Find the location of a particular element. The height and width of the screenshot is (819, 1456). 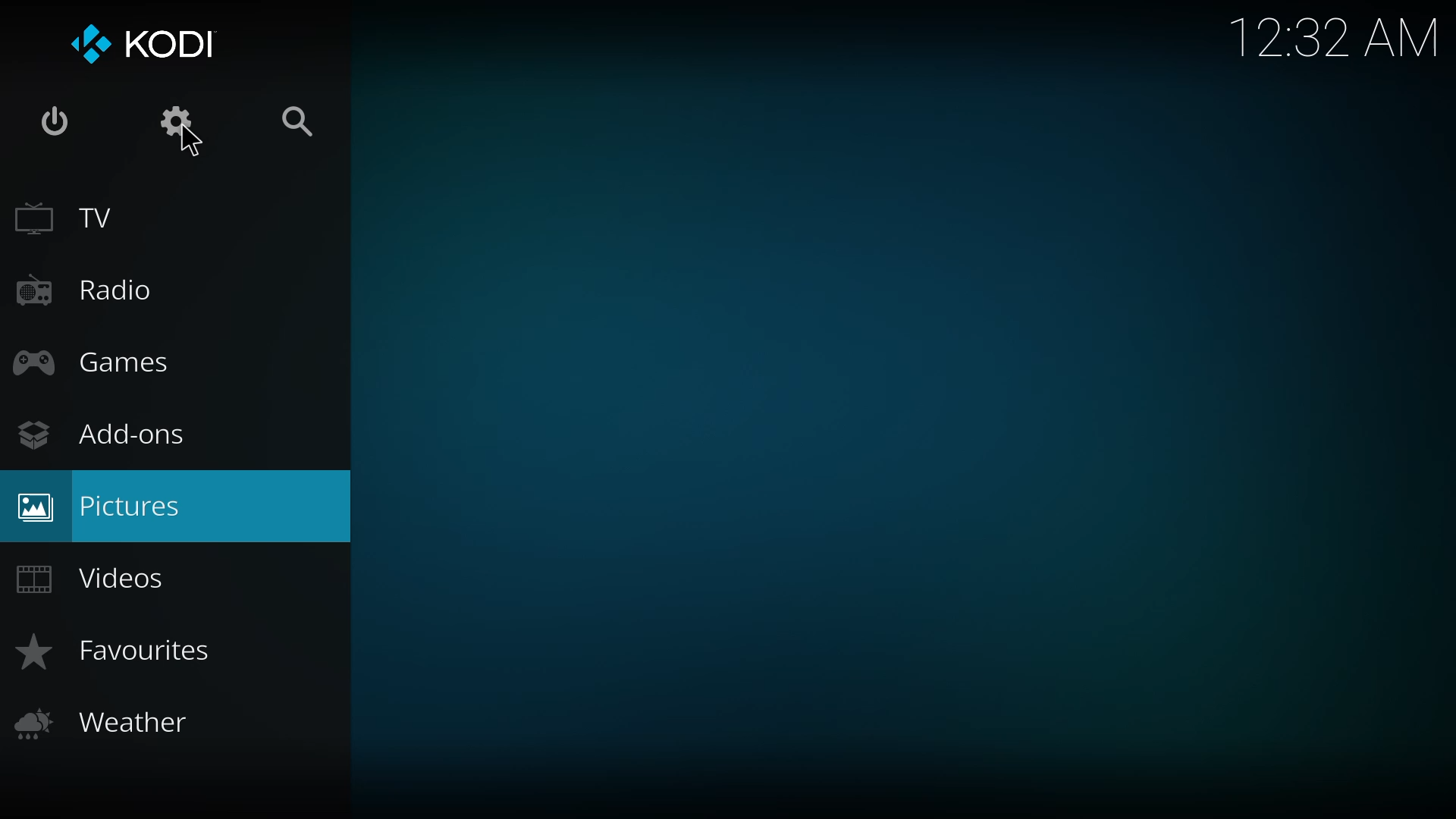

games is located at coordinates (105, 365).